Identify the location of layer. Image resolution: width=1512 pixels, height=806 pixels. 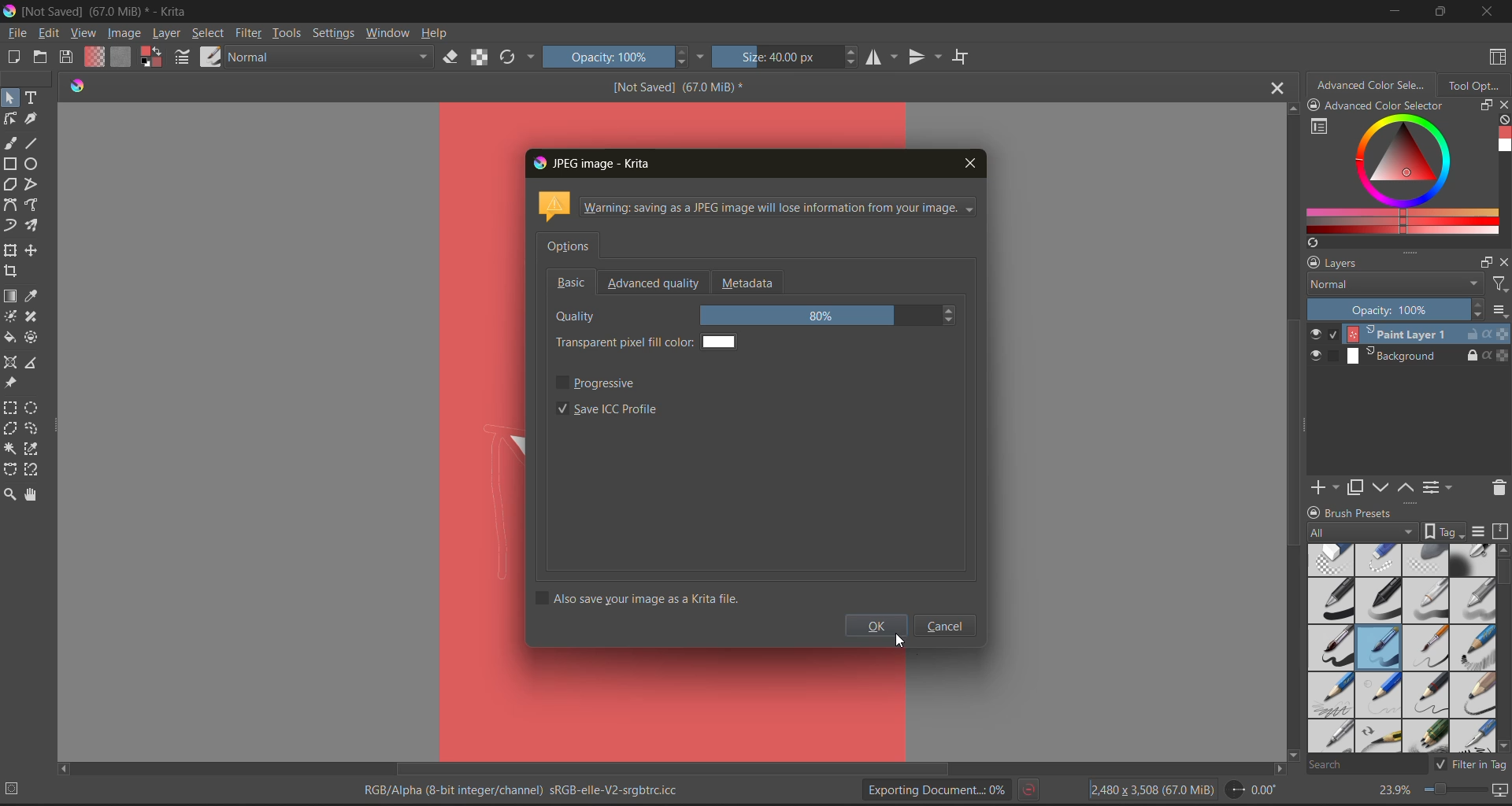
(1409, 335).